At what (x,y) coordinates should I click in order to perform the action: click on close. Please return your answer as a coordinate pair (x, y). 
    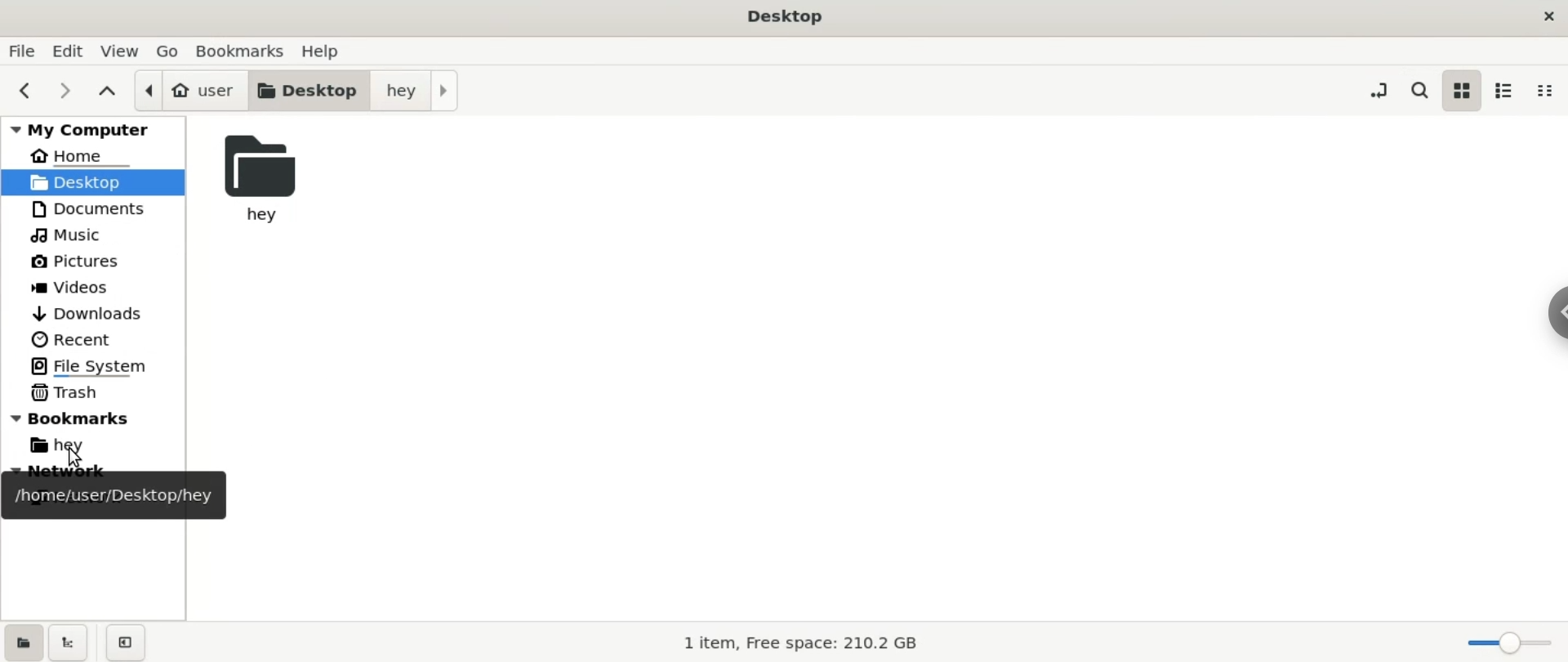
    Looking at the image, I should click on (1546, 16).